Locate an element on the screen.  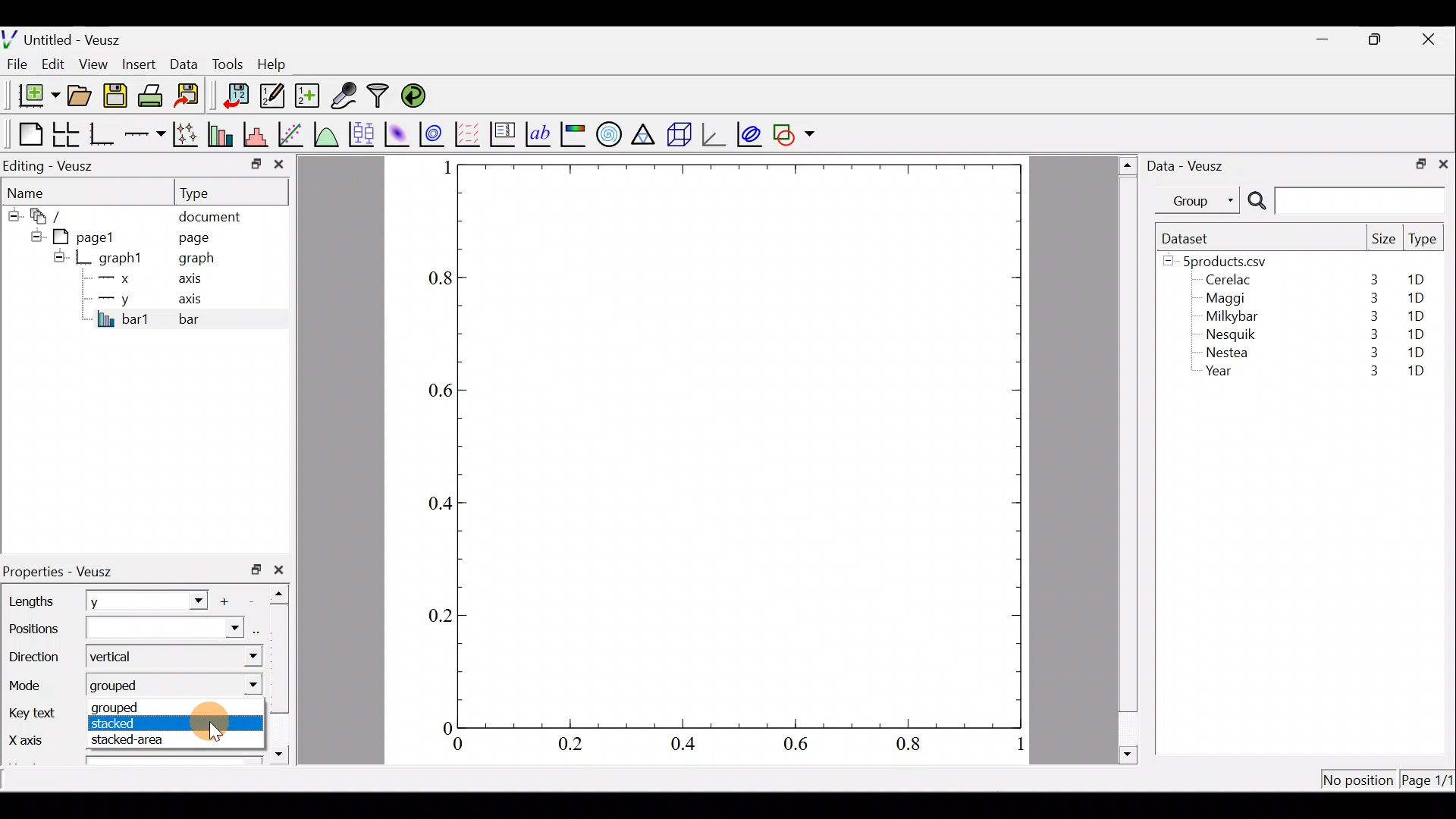
grouped is located at coordinates (124, 686).